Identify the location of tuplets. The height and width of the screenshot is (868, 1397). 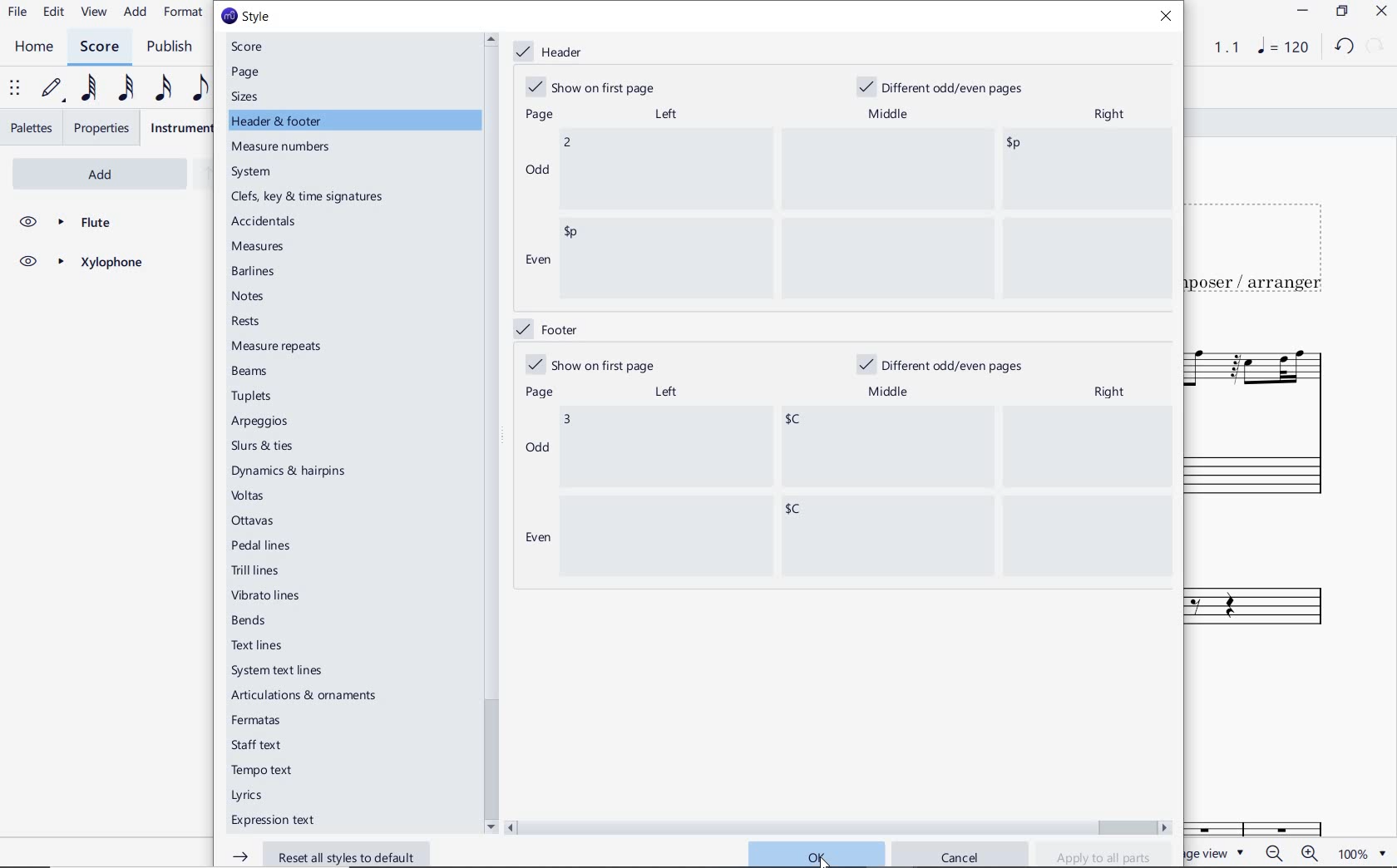
(254, 397).